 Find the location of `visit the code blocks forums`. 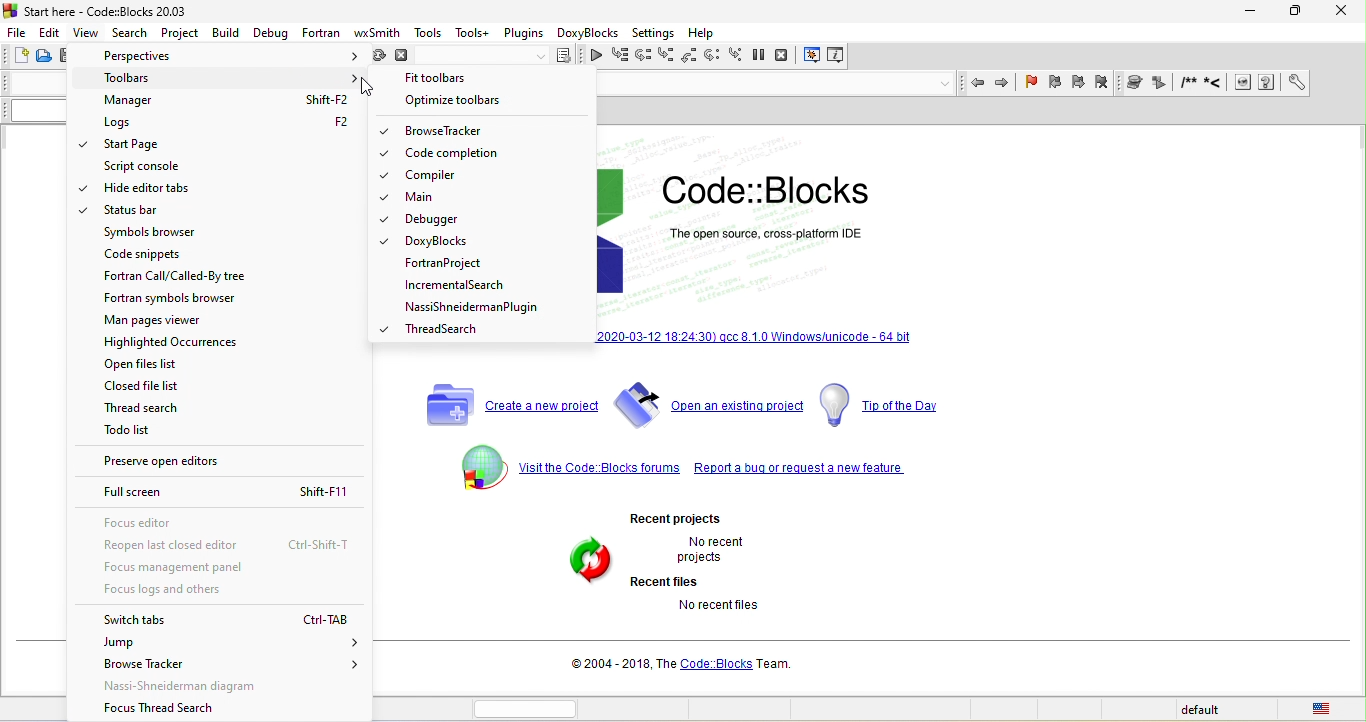

visit the code blocks forums is located at coordinates (563, 465).